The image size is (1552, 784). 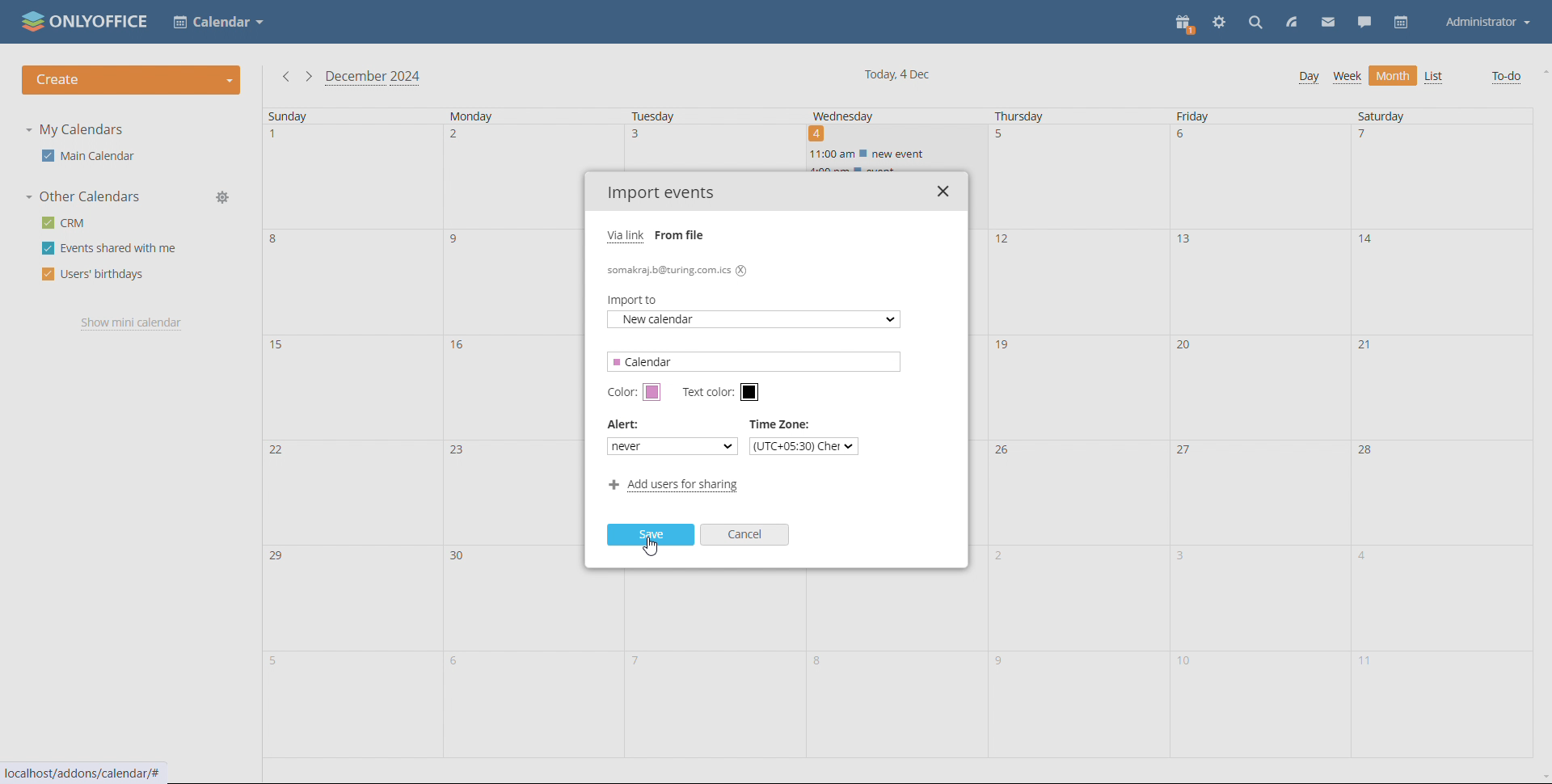 I want to click on via link, so click(x=627, y=235).